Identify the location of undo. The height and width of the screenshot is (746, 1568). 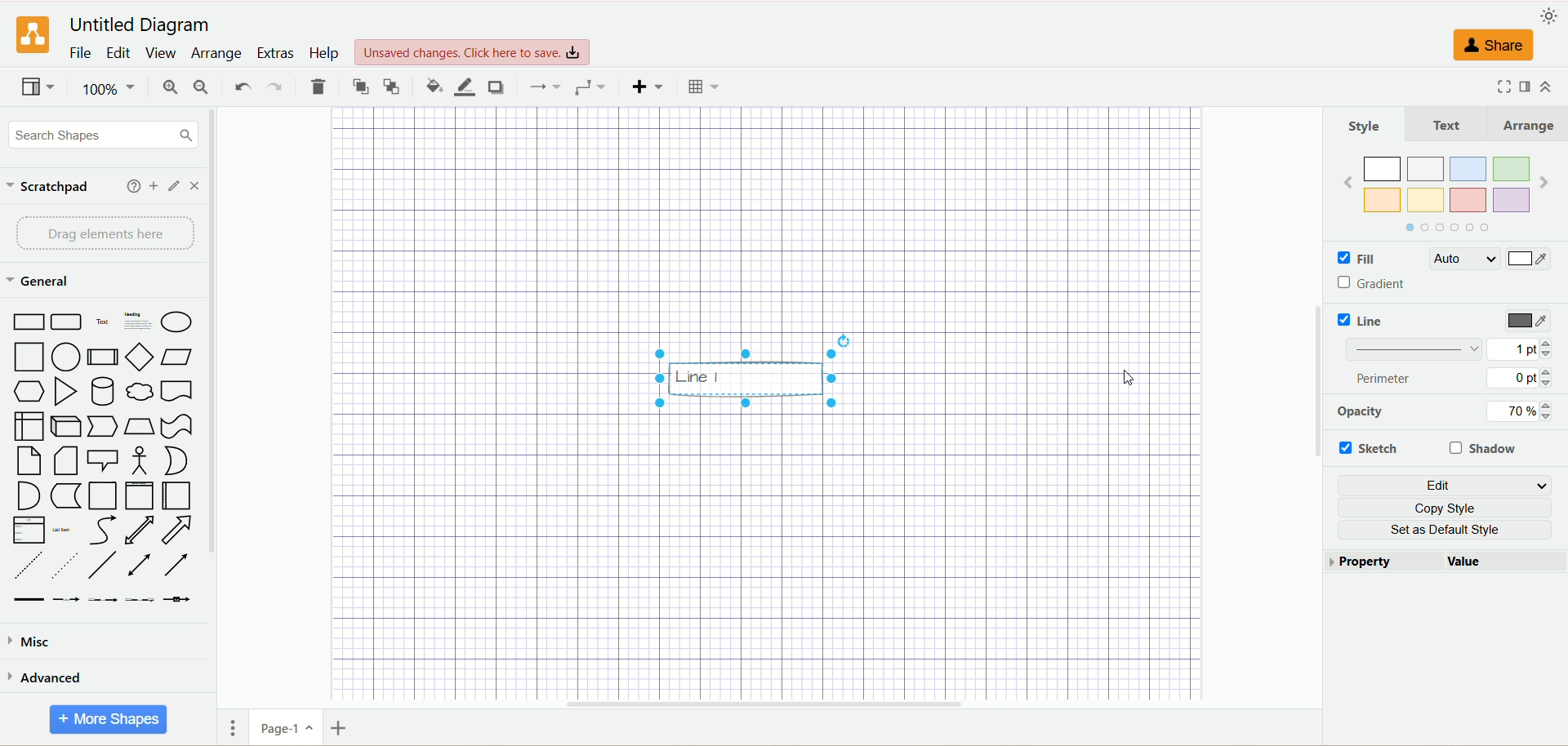
(239, 87).